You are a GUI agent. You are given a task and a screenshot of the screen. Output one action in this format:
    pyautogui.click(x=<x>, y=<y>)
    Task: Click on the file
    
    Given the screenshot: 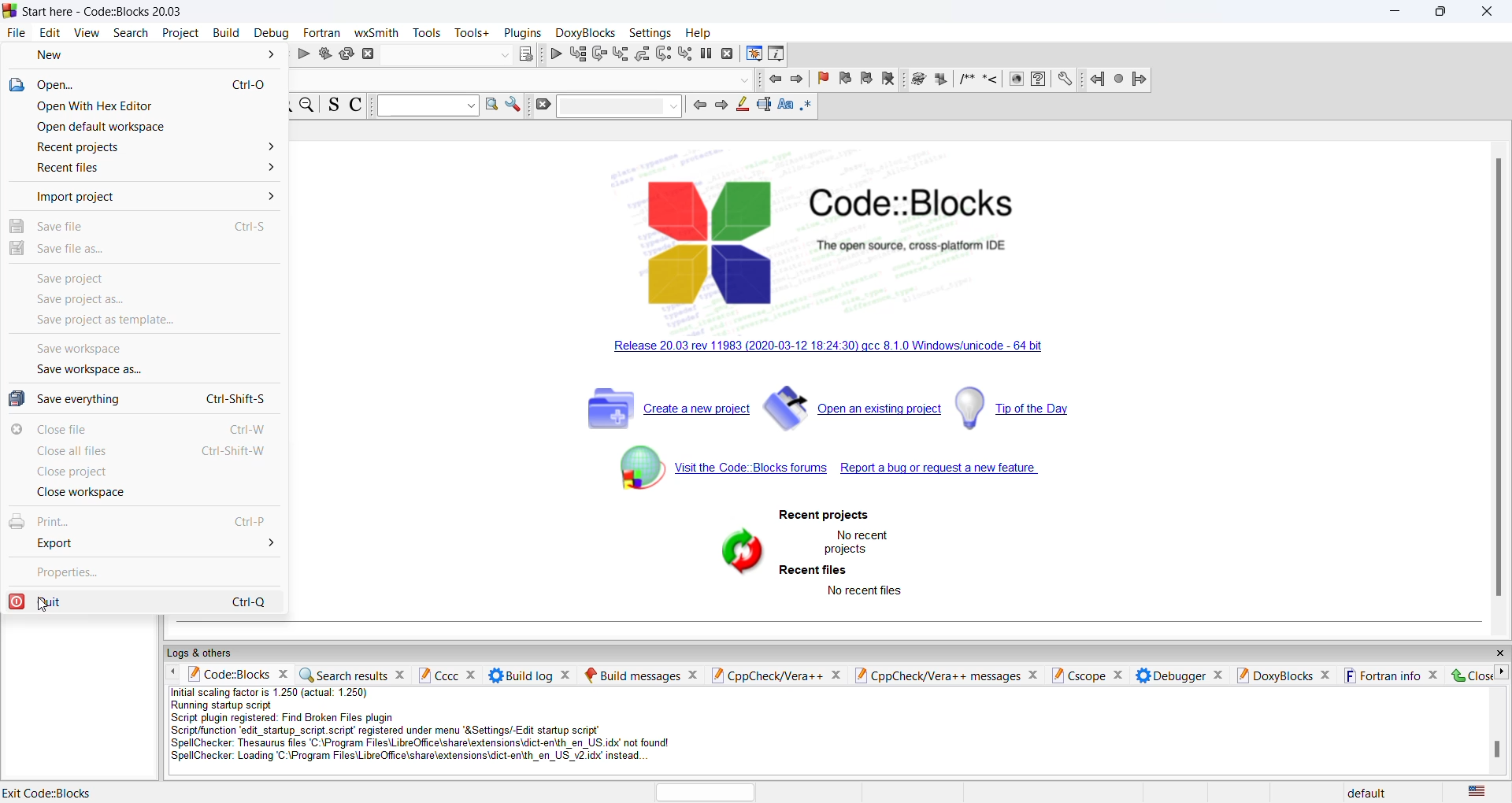 What is the action you would take?
    pyautogui.click(x=20, y=33)
    